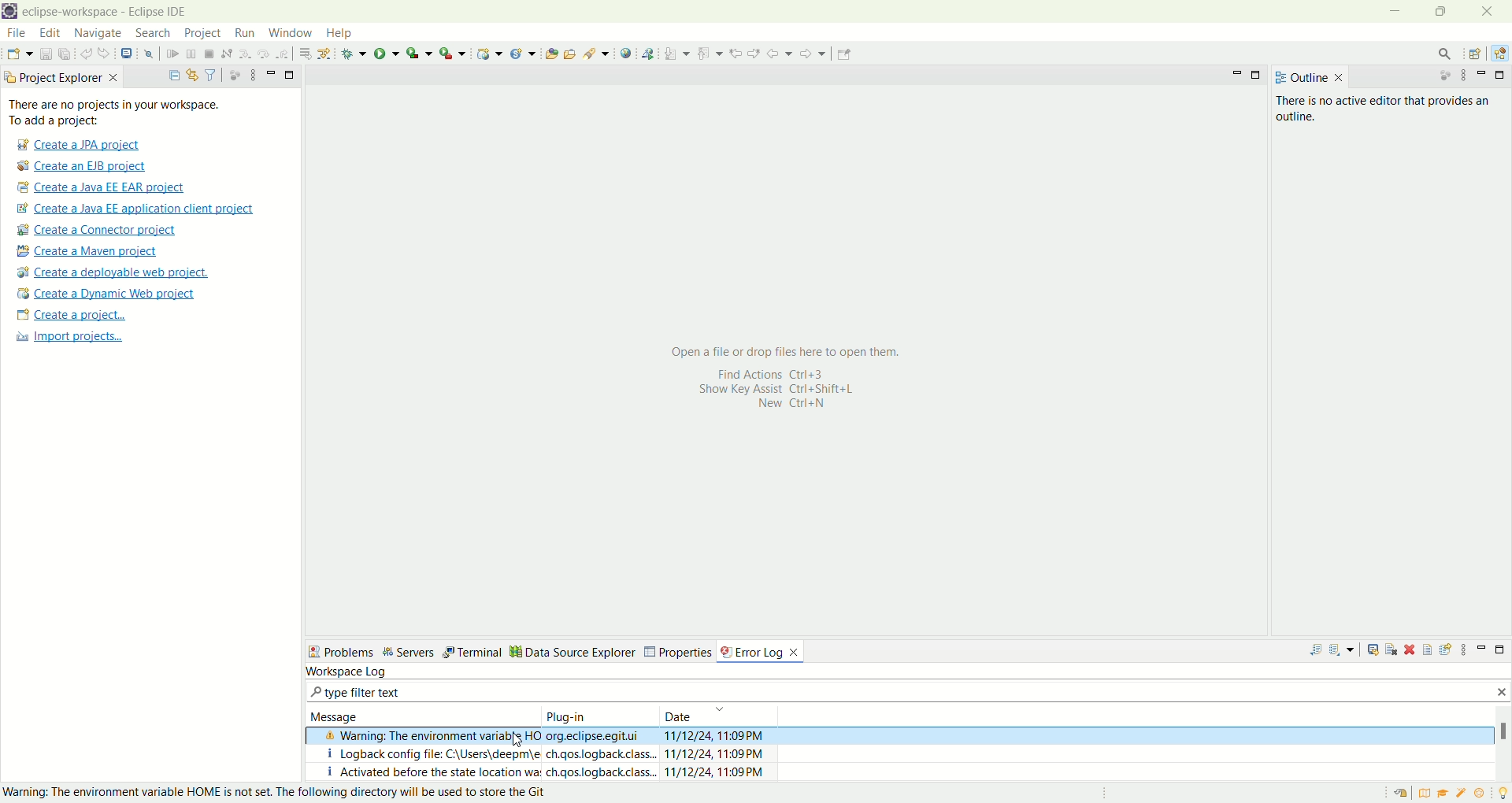  What do you see at coordinates (1499, 50) in the screenshot?
I see `java EE` at bounding box center [1499, 50].